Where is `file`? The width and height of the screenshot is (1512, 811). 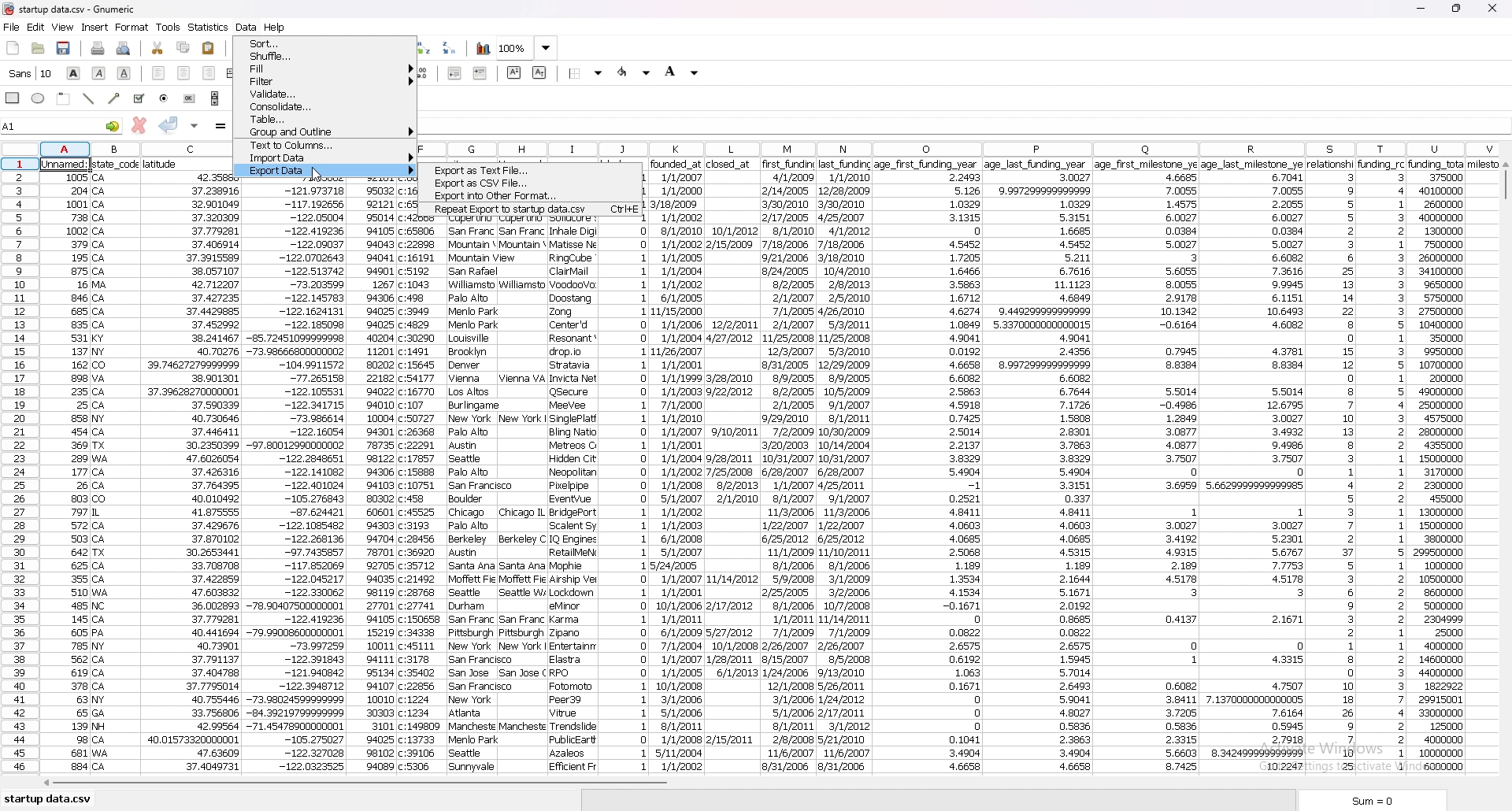 file is located at coordinates (12, 28).